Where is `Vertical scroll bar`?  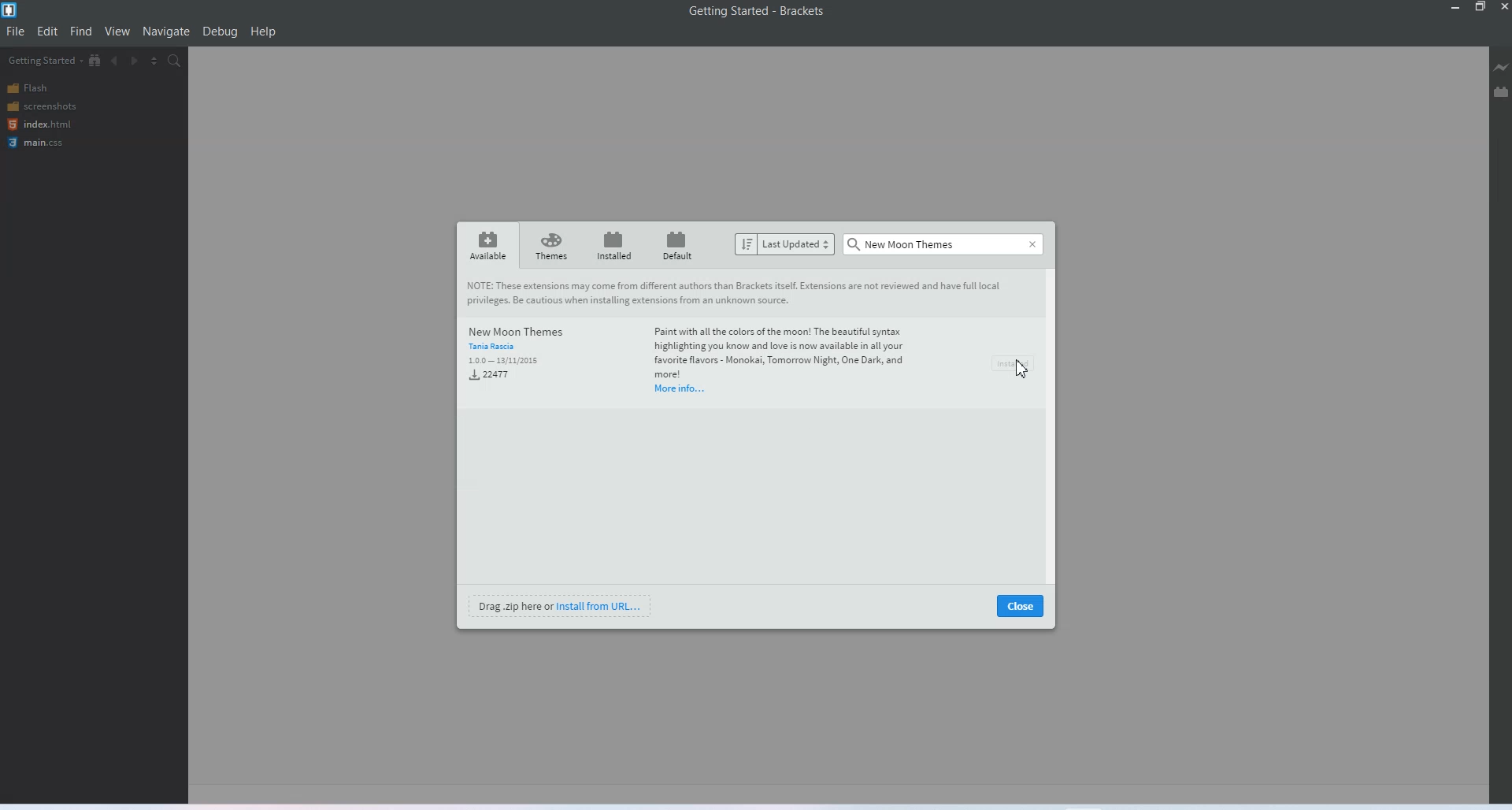
Vertical scroll bar is located at coordinates (1053, 423).